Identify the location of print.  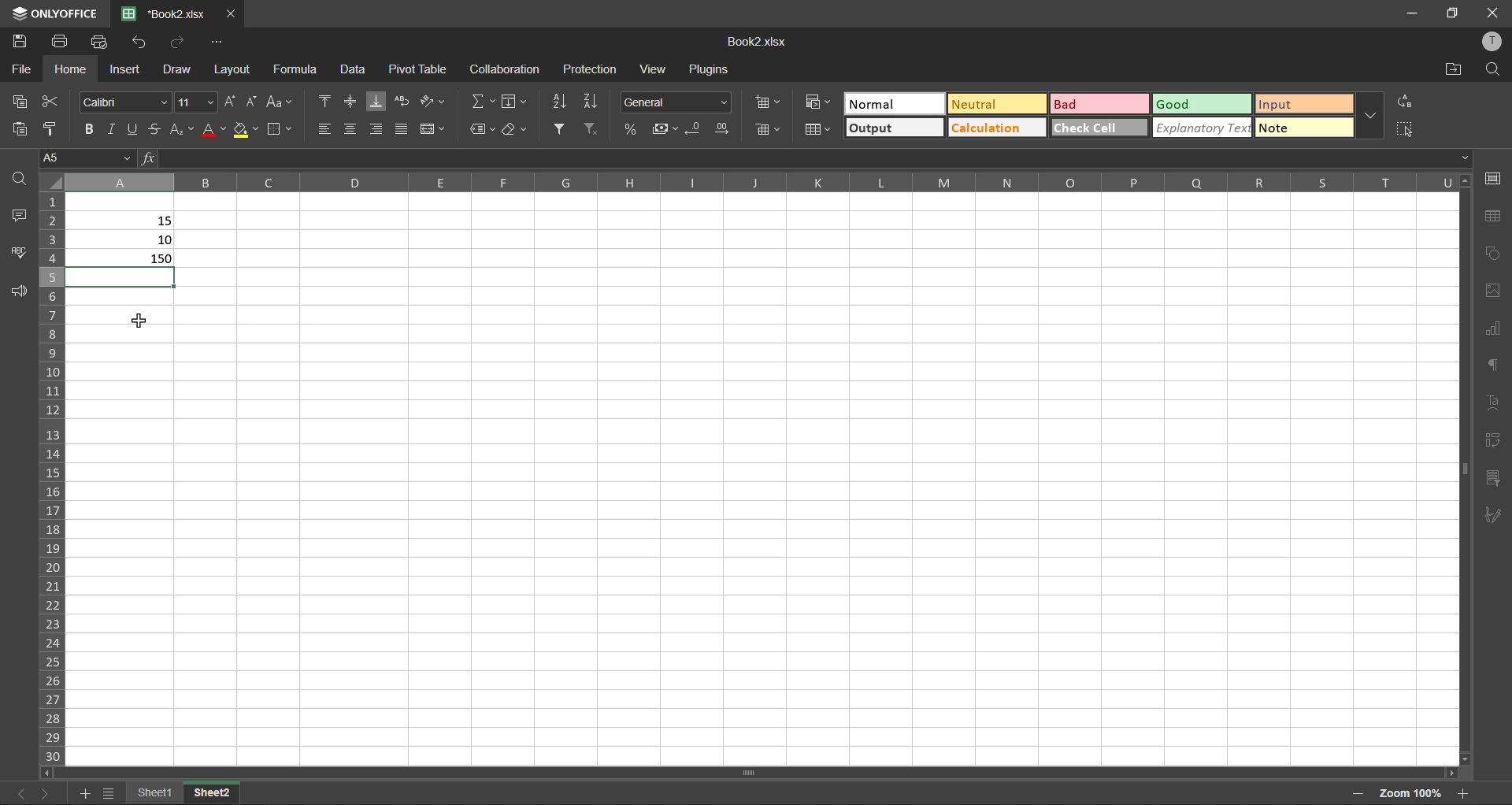
(61, 39).